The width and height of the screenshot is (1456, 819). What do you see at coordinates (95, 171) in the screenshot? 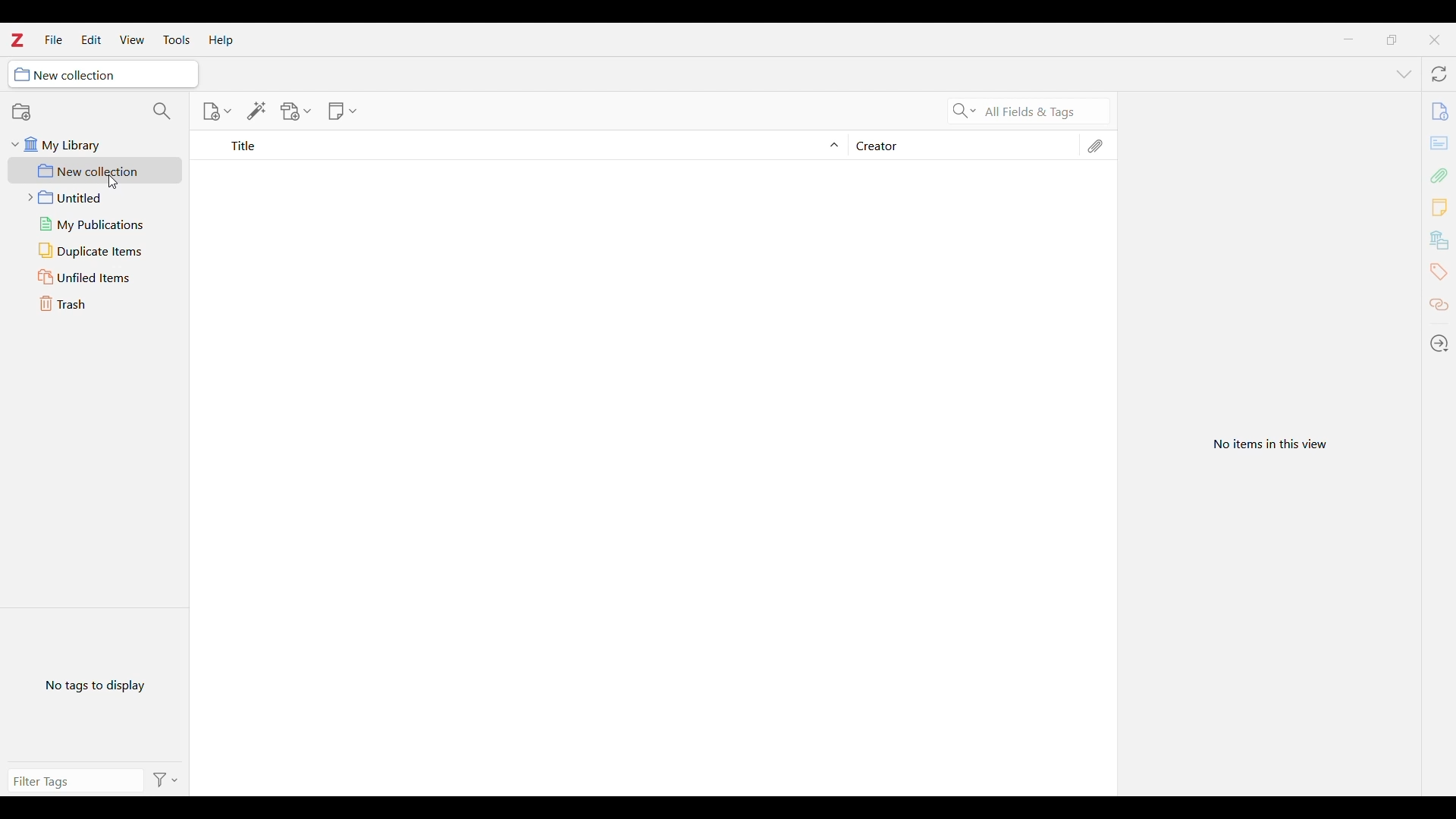
I see `New collection folder` at bounding box center [95, 171].